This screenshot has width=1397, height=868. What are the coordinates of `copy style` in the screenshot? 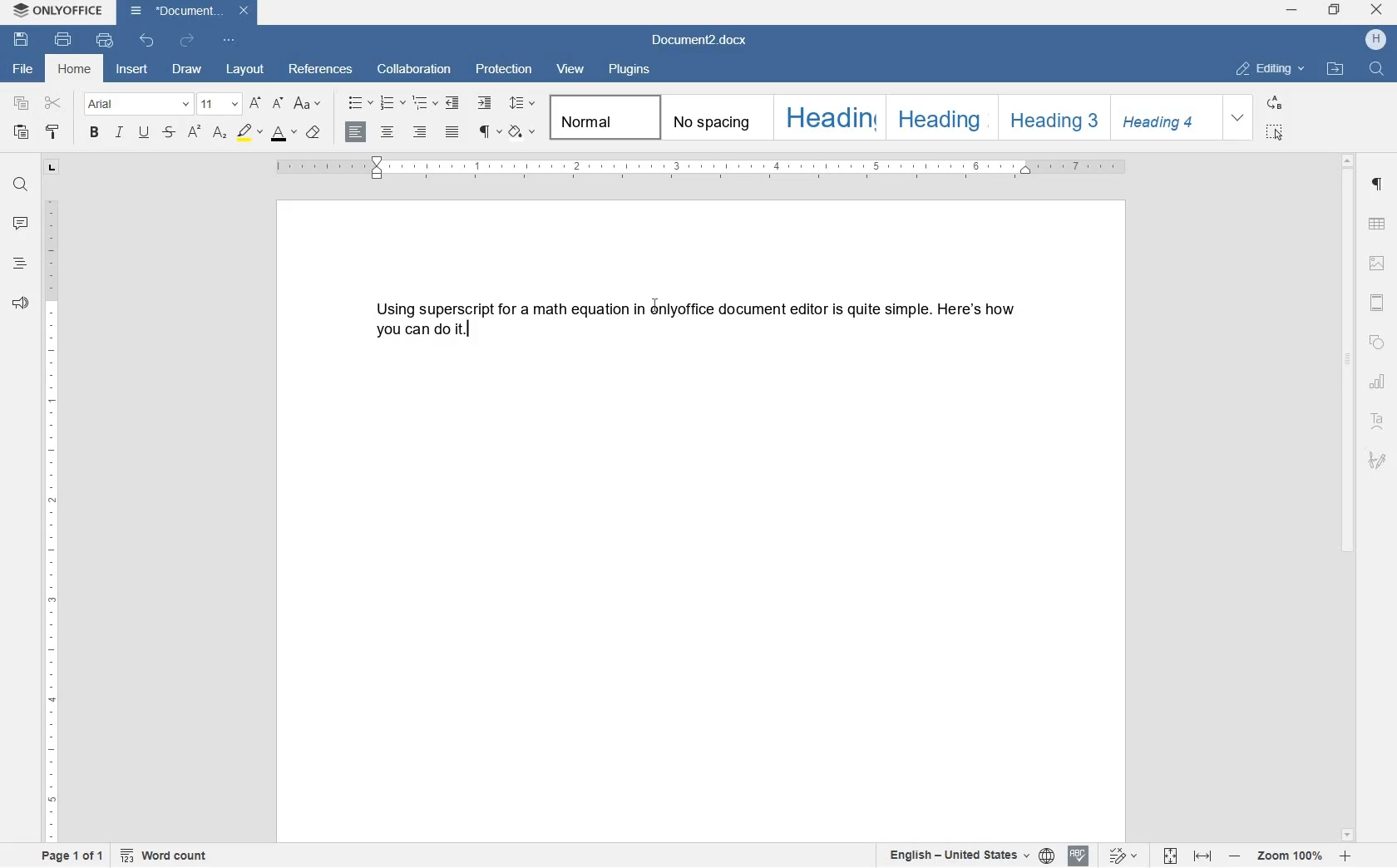 It's located at (52, 133).